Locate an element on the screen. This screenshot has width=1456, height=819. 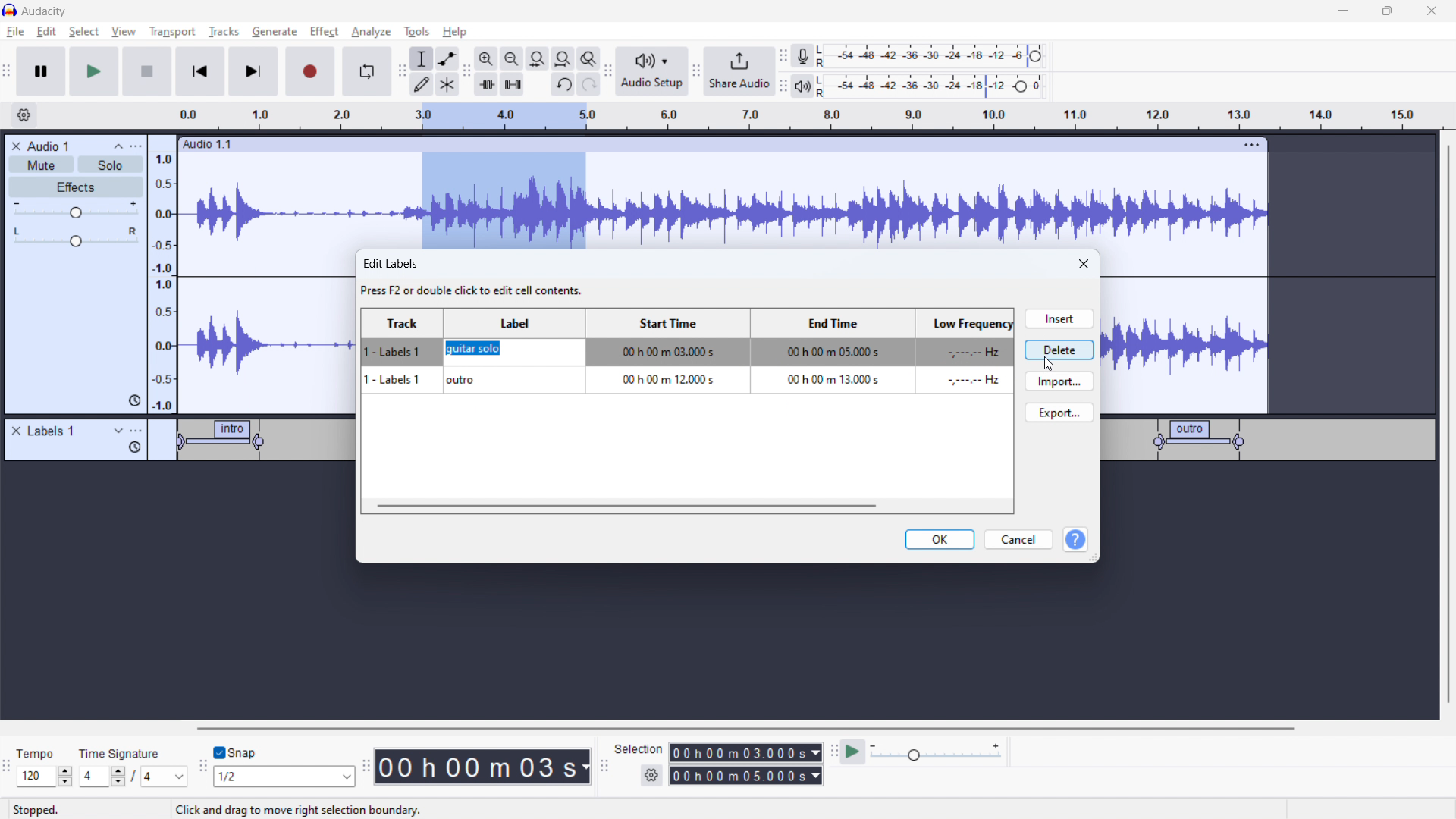
audio wave is located at coordinates (1185, 344).